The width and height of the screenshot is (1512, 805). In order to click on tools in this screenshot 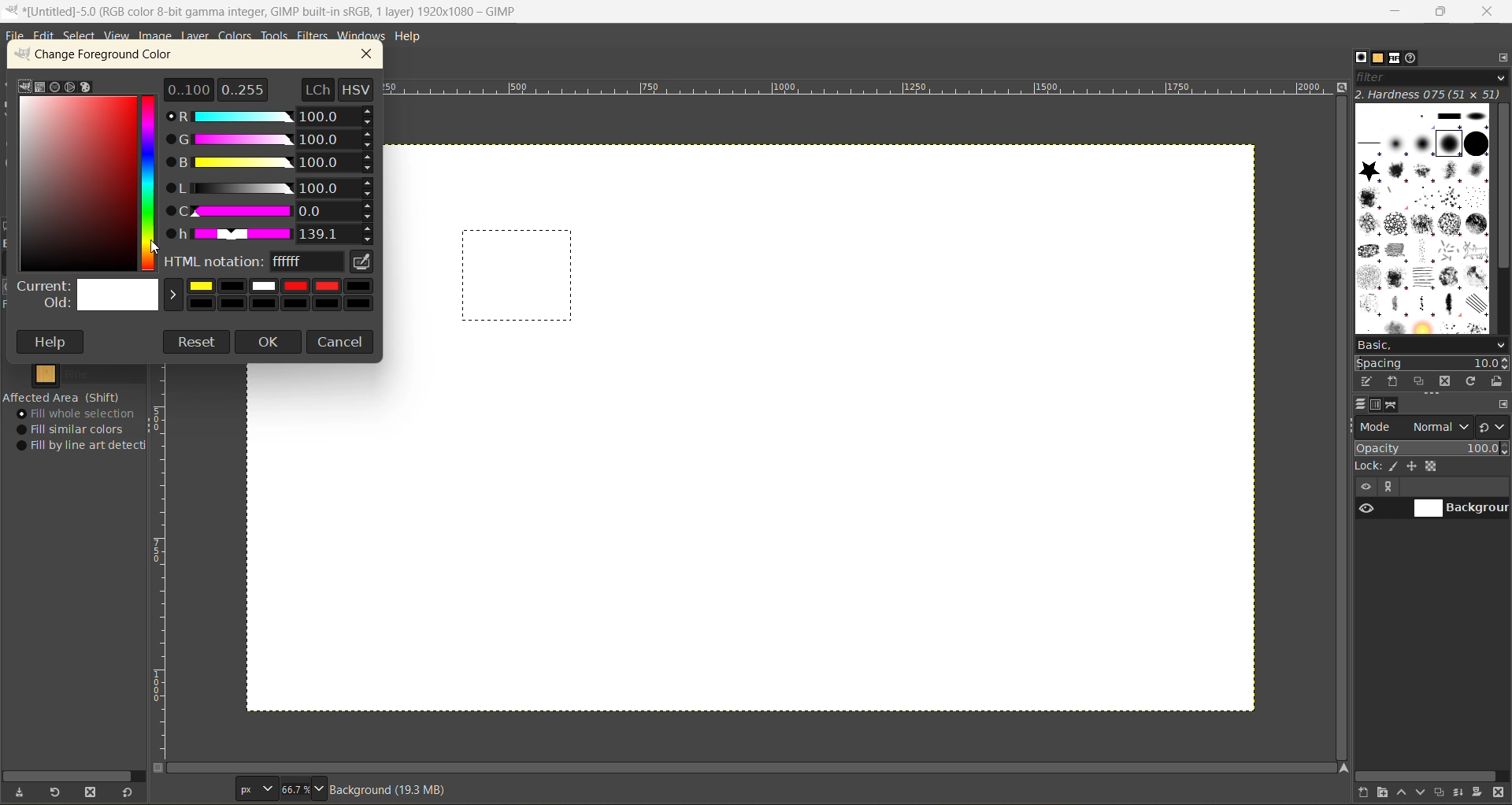, I will do `click(276, 37)`.